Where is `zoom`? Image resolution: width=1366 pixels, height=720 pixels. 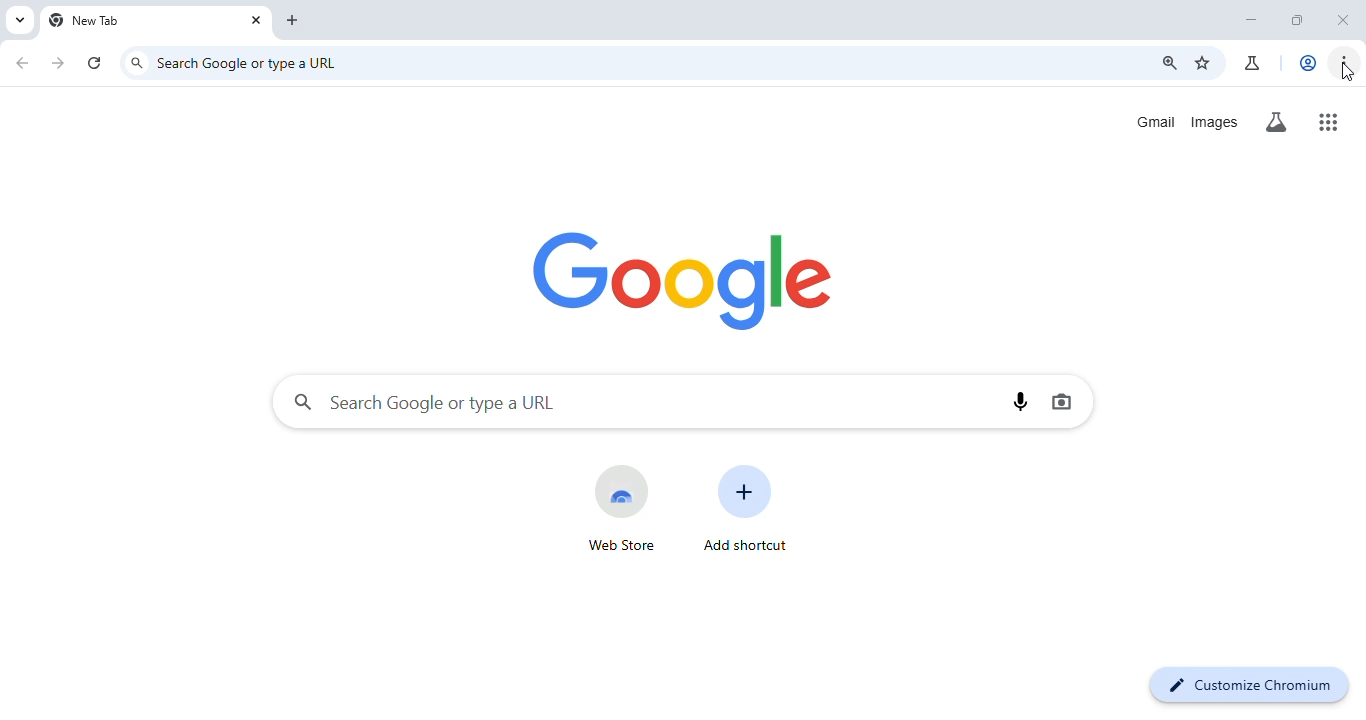
zoom is located at coordinates (1169, 63).